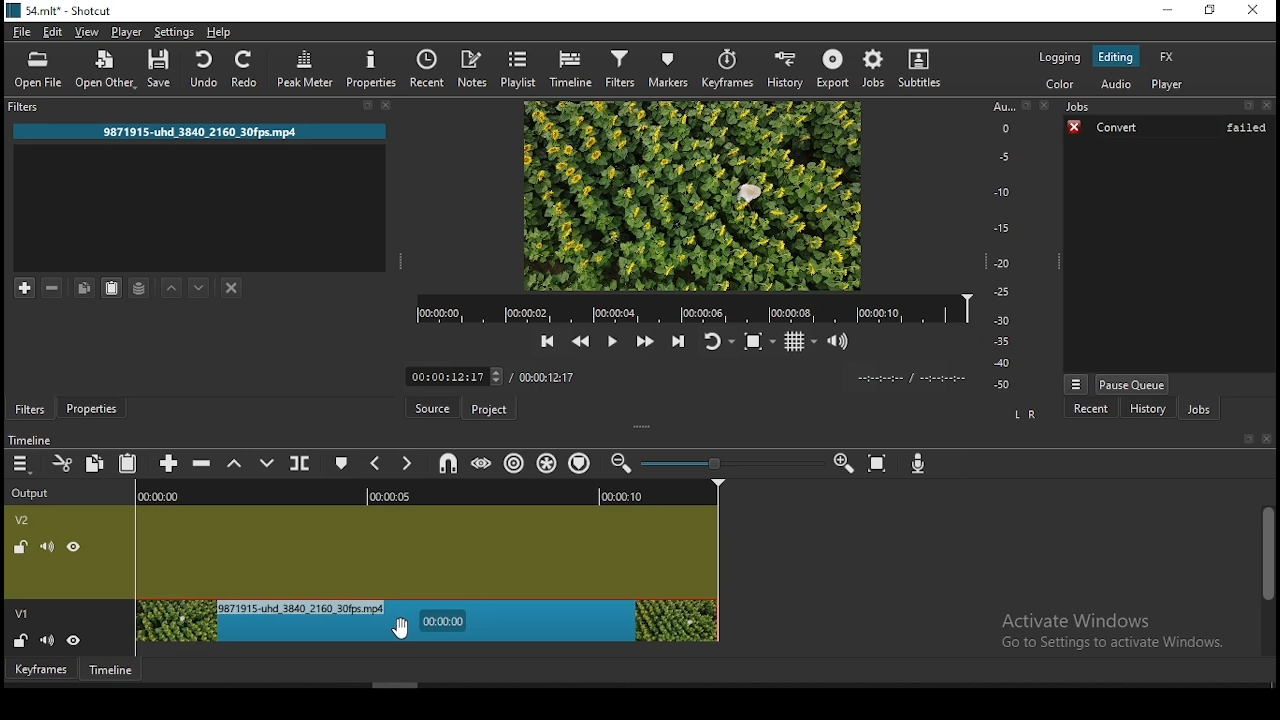 Image resolution: width=1280 pixels, height=720 pixels. What do you see at coordinates (131, 34) in the screenshot?
I see `player` at bounding box center [131, 34].